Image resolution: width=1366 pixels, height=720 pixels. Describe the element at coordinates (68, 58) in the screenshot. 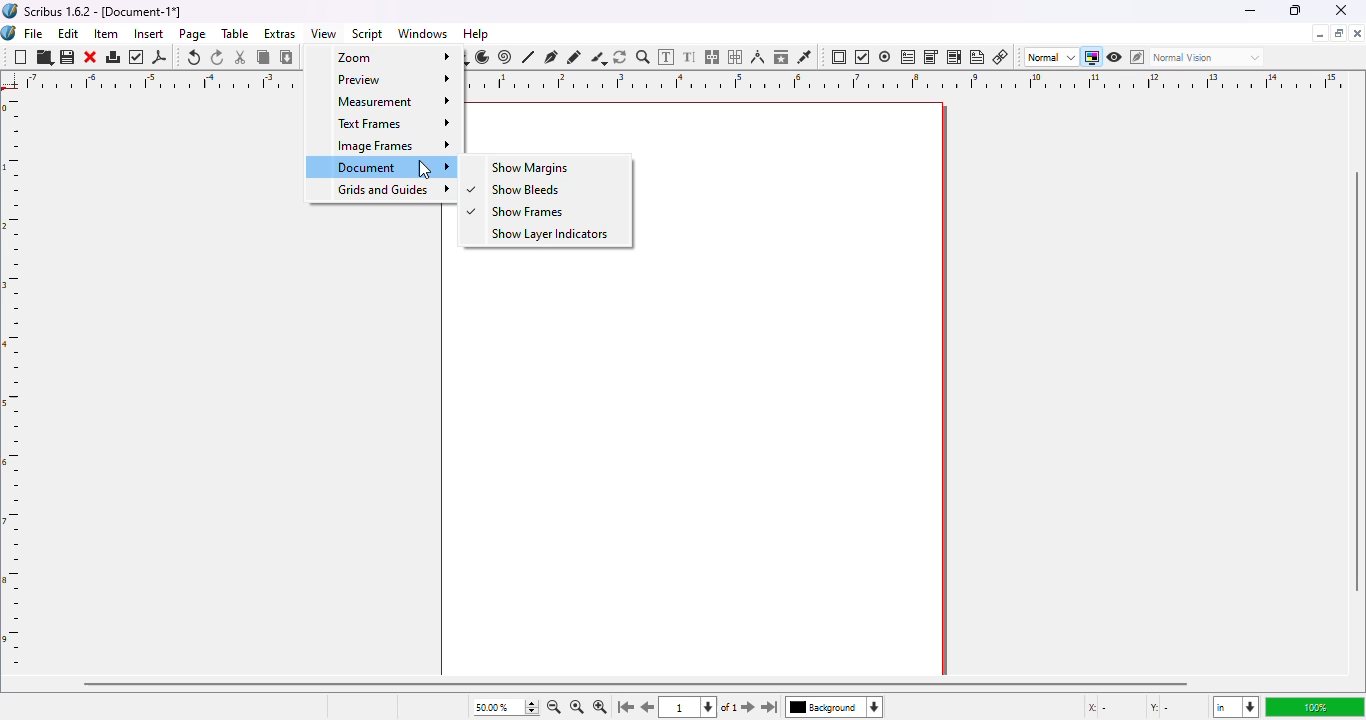

I see `save` at that location.